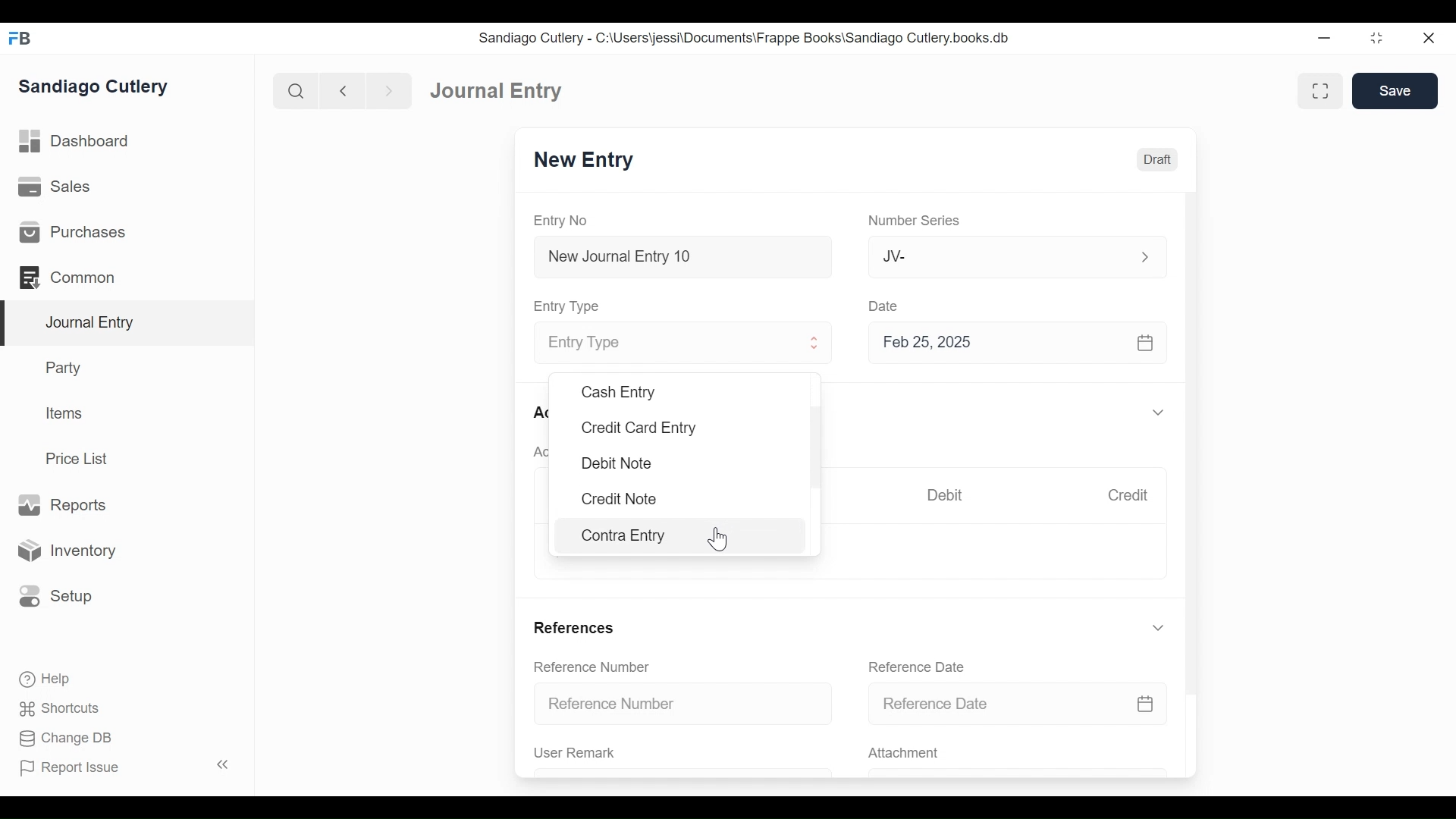 This screenshot has height=819, width=1456. Describe the element at coordinates (1318, 89) in the screenshot. I see `Toggle between form and full width` at that location.